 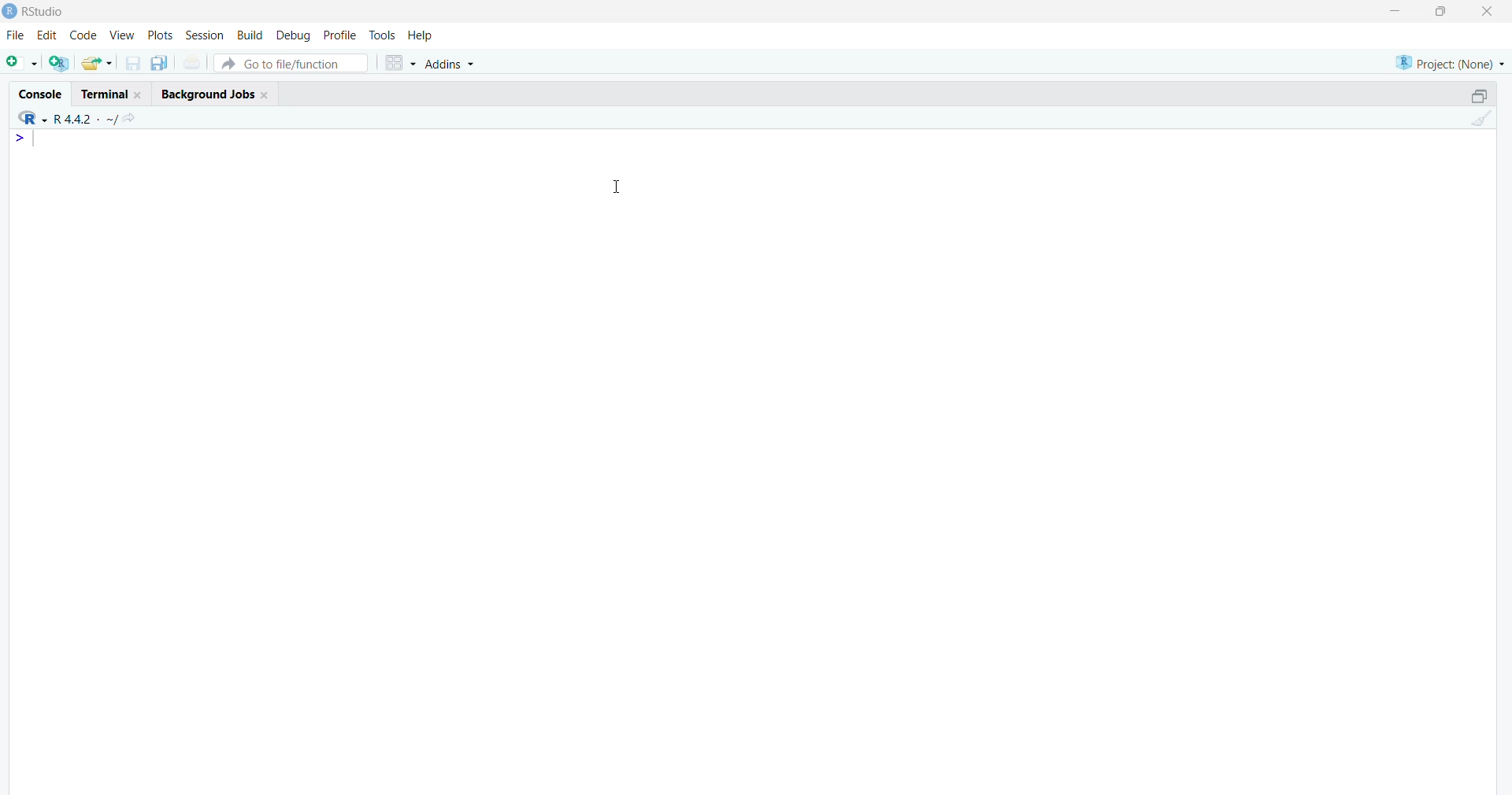 I want to click on background jobs, so click(x=215, y=94).